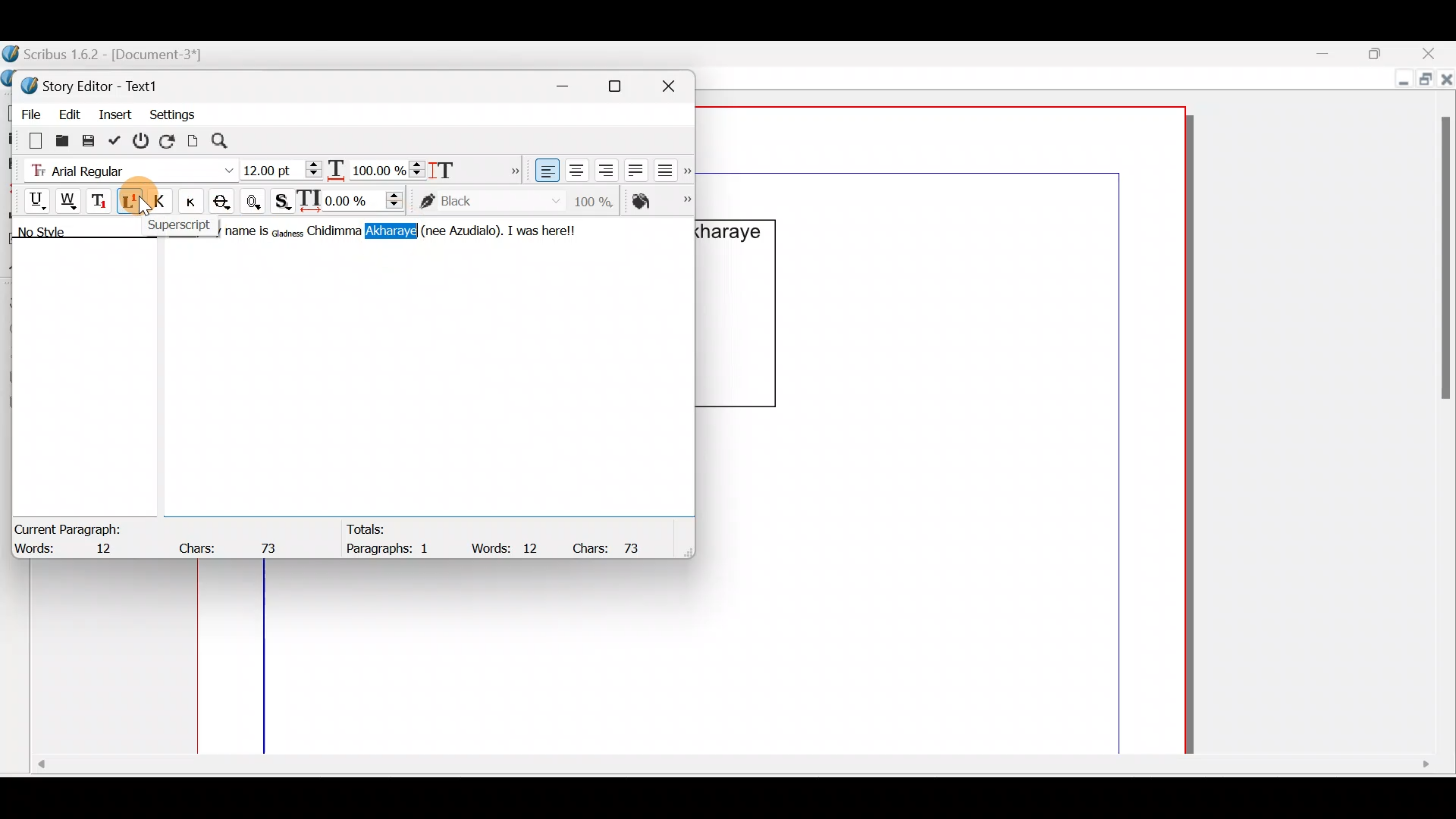 This screenshot has height=819, width=1456. I want to click on All caps, so click(163, 203).